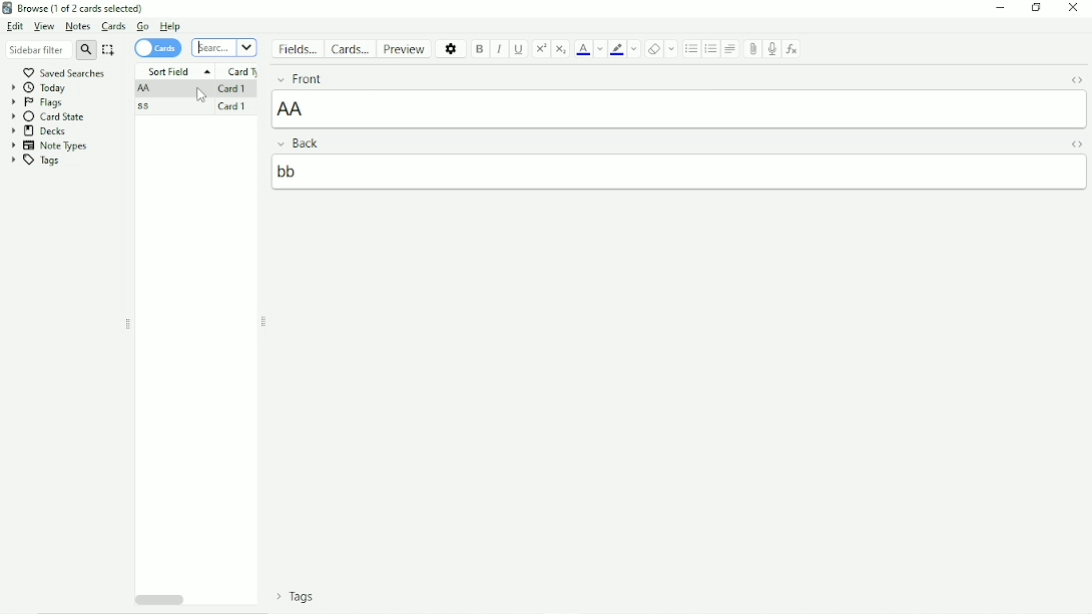  What do you see at coordinates (584, 49) in the screenshot?
I see `Text color` at bounding box center [584, 49].